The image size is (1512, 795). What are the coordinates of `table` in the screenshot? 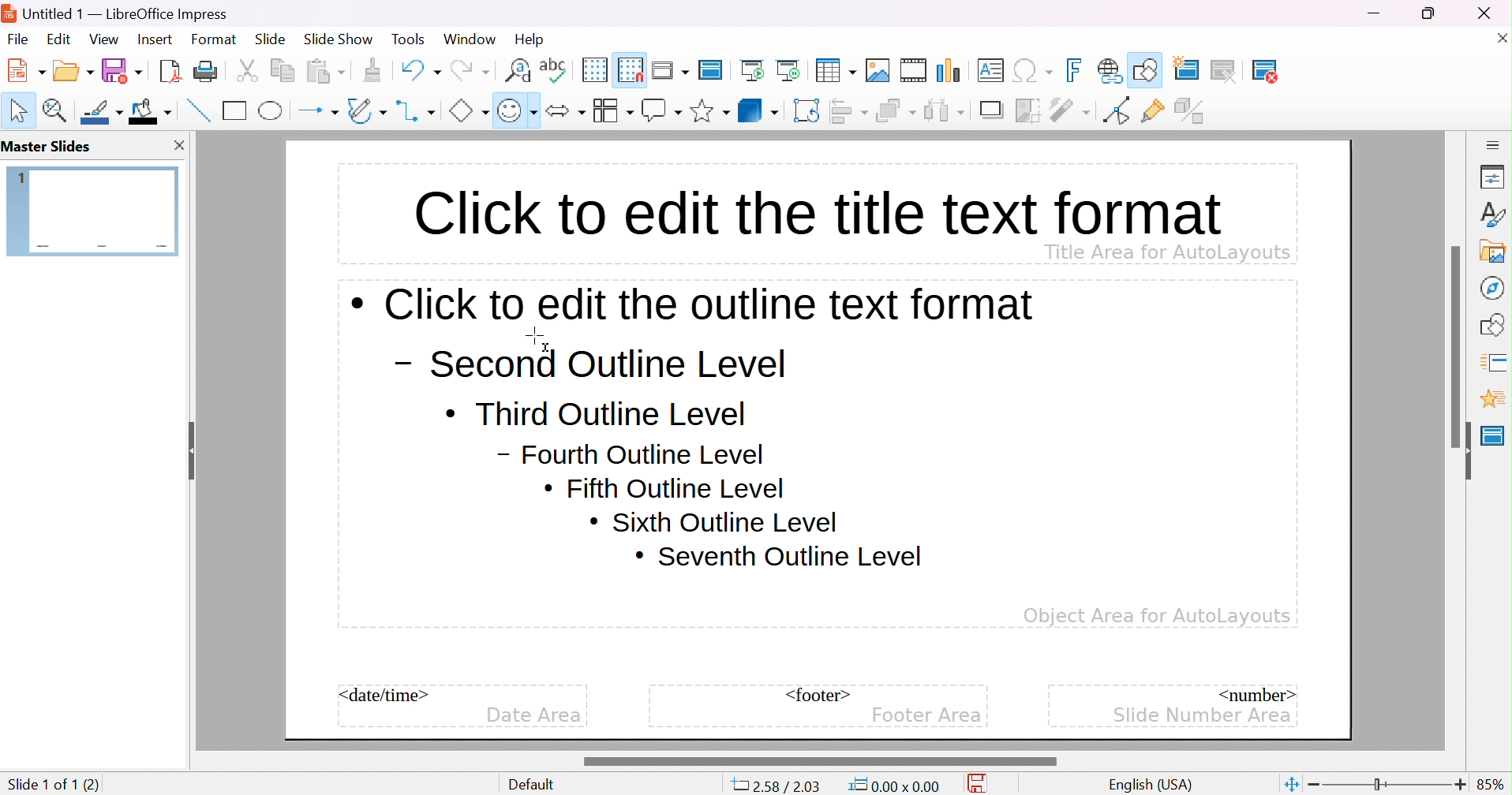 It's located at (836, 69).